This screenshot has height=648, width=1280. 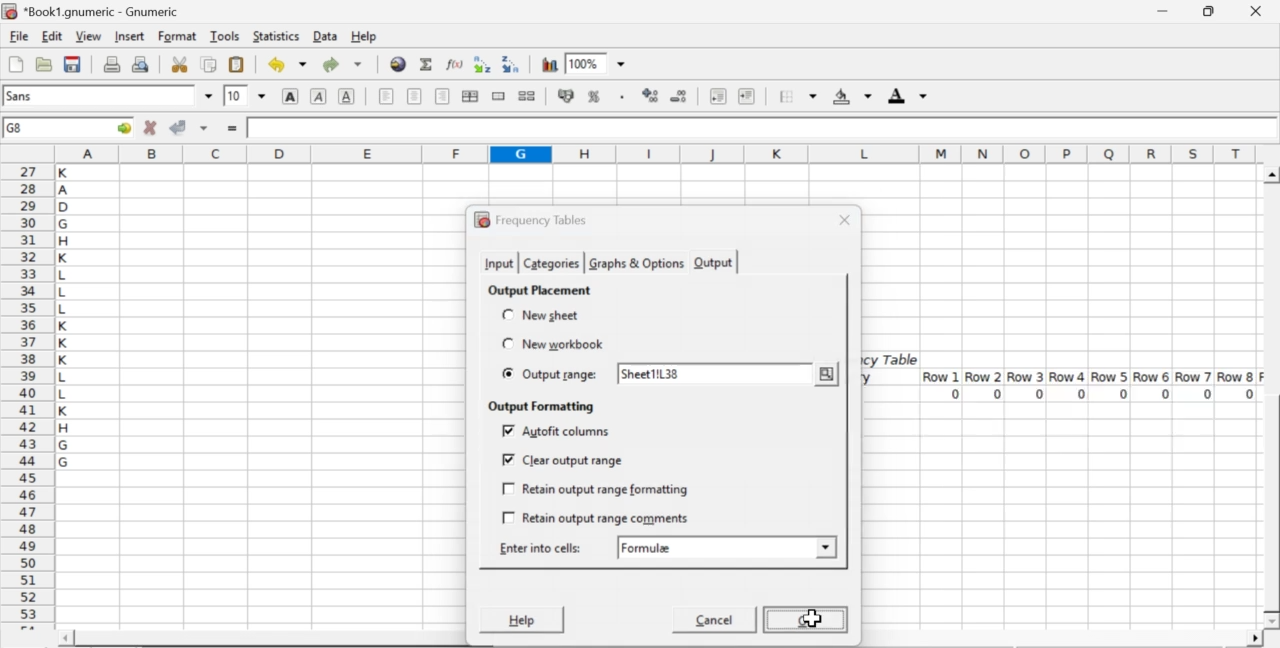 What do you see at coordinates (122, 127) in the screenshot?
I see `go to` at bounding box center [122, 127].